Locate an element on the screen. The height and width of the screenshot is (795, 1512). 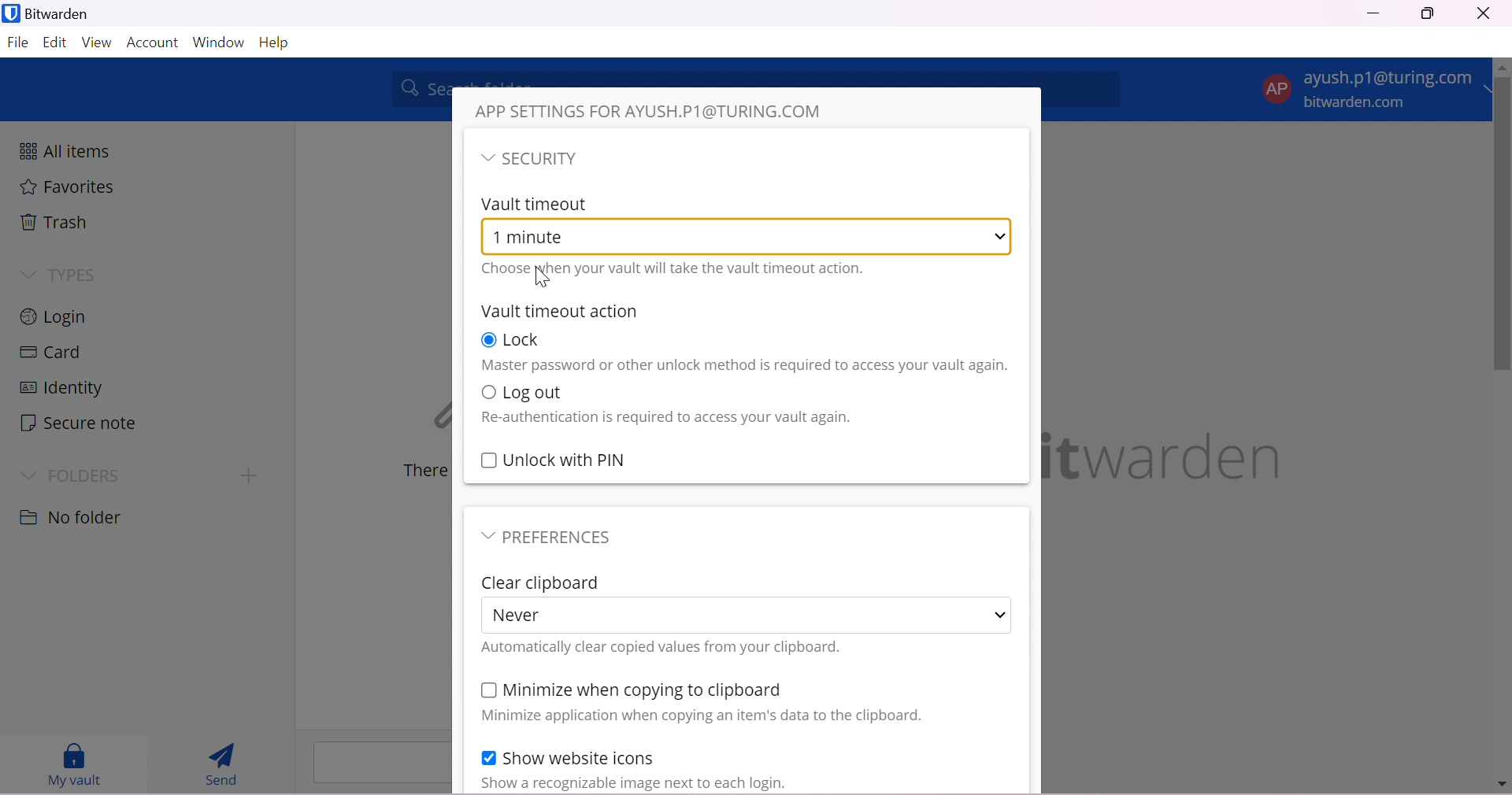
Trash is located at coordinates (54, 221).